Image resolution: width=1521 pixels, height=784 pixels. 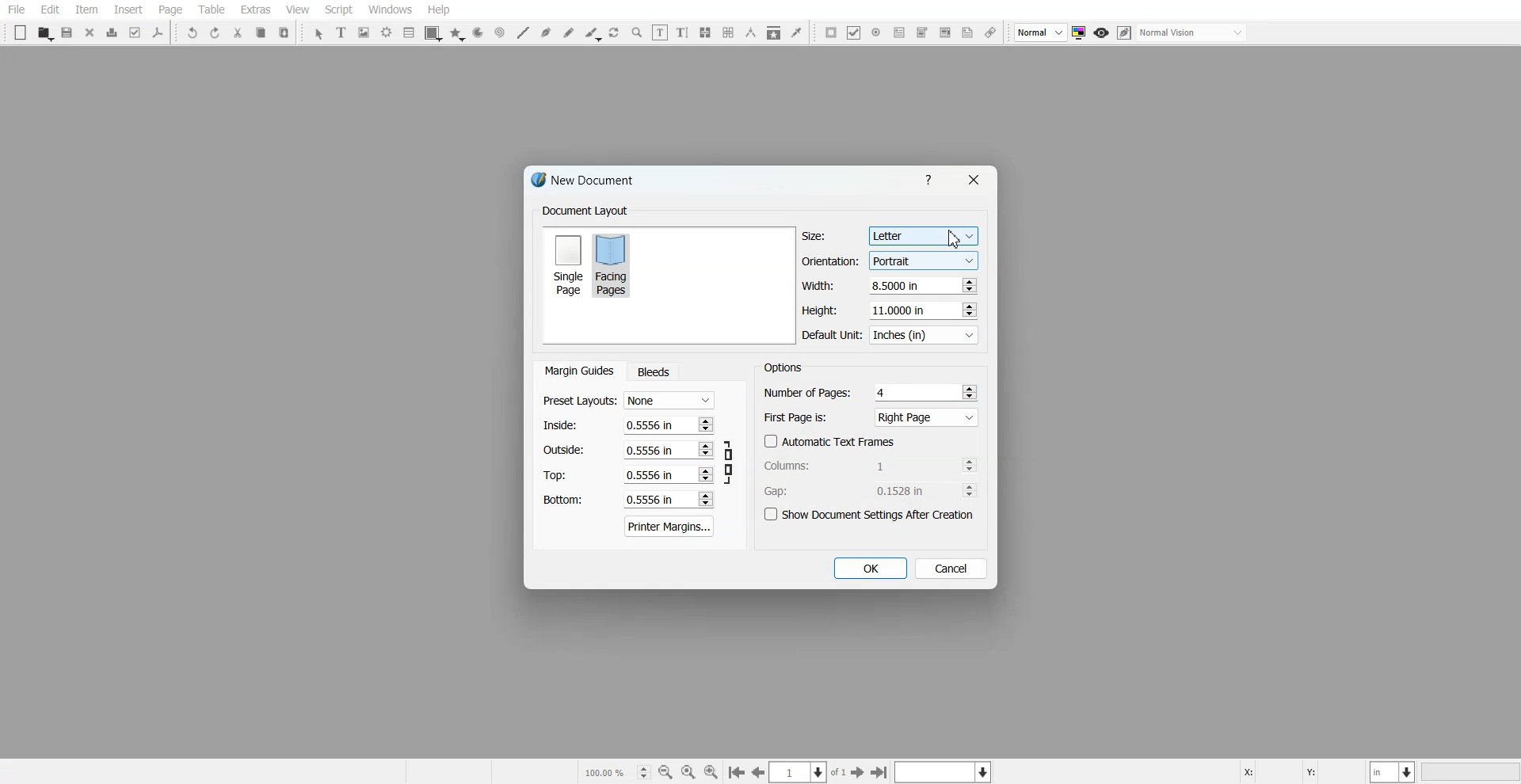 What do you see at coordinates (904, 465) in the screenshot?
I see `1` at bounding box center [904, 465].